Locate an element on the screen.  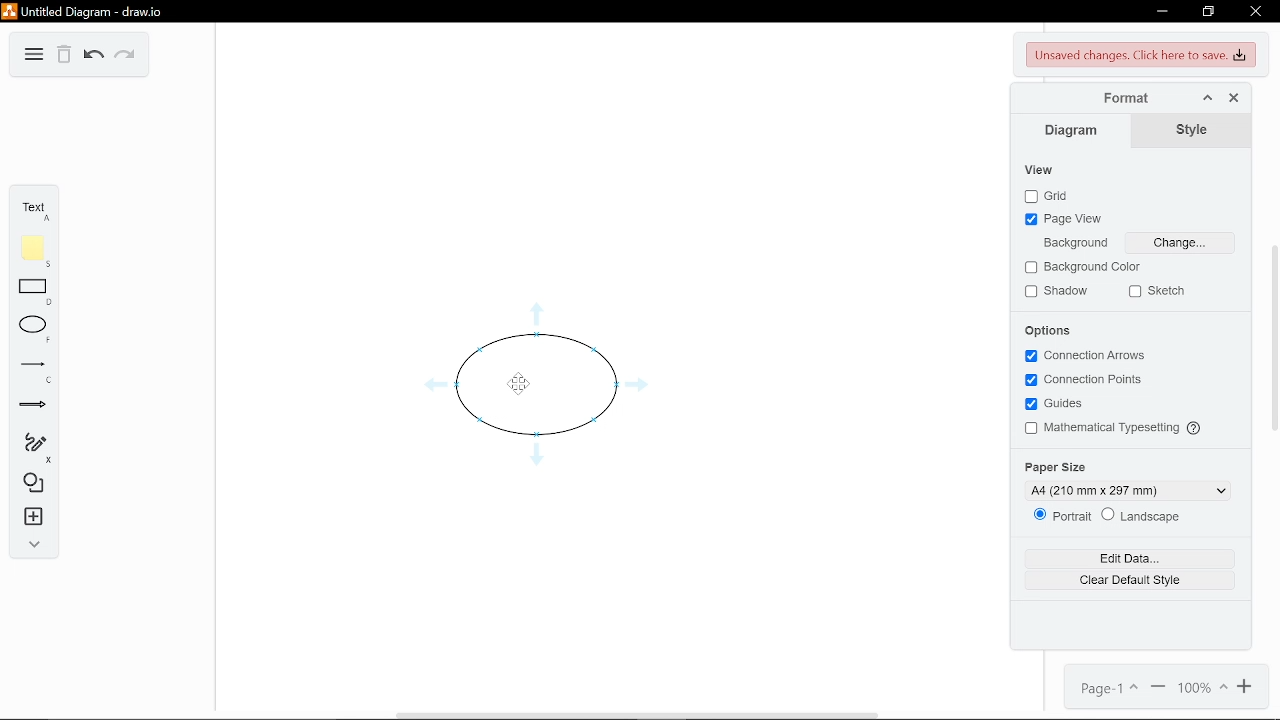
Current page is located at coordinates (1110, 689).